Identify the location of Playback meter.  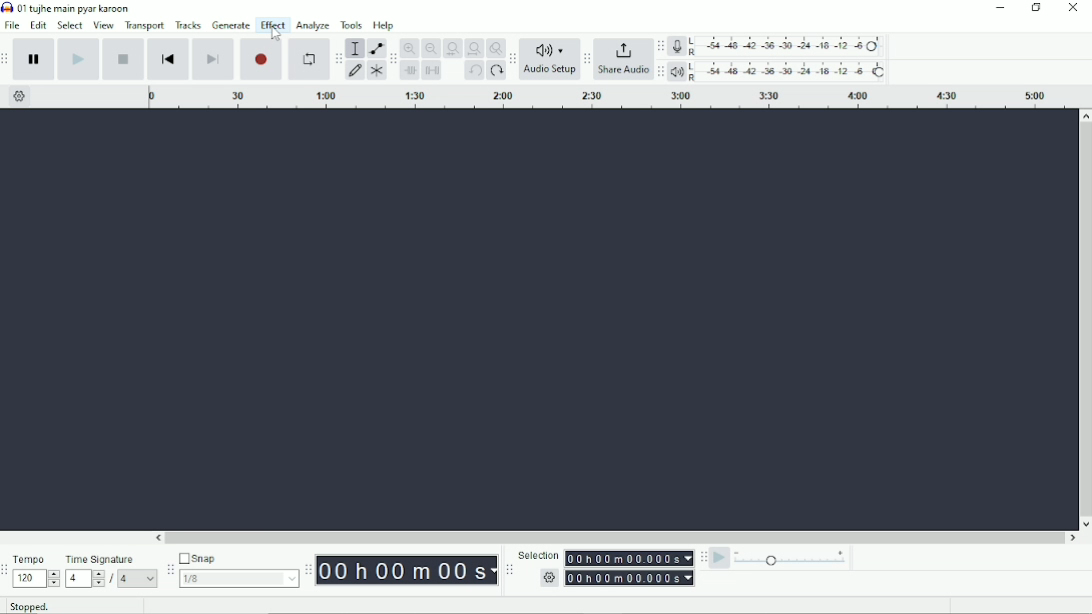
(781, 72).